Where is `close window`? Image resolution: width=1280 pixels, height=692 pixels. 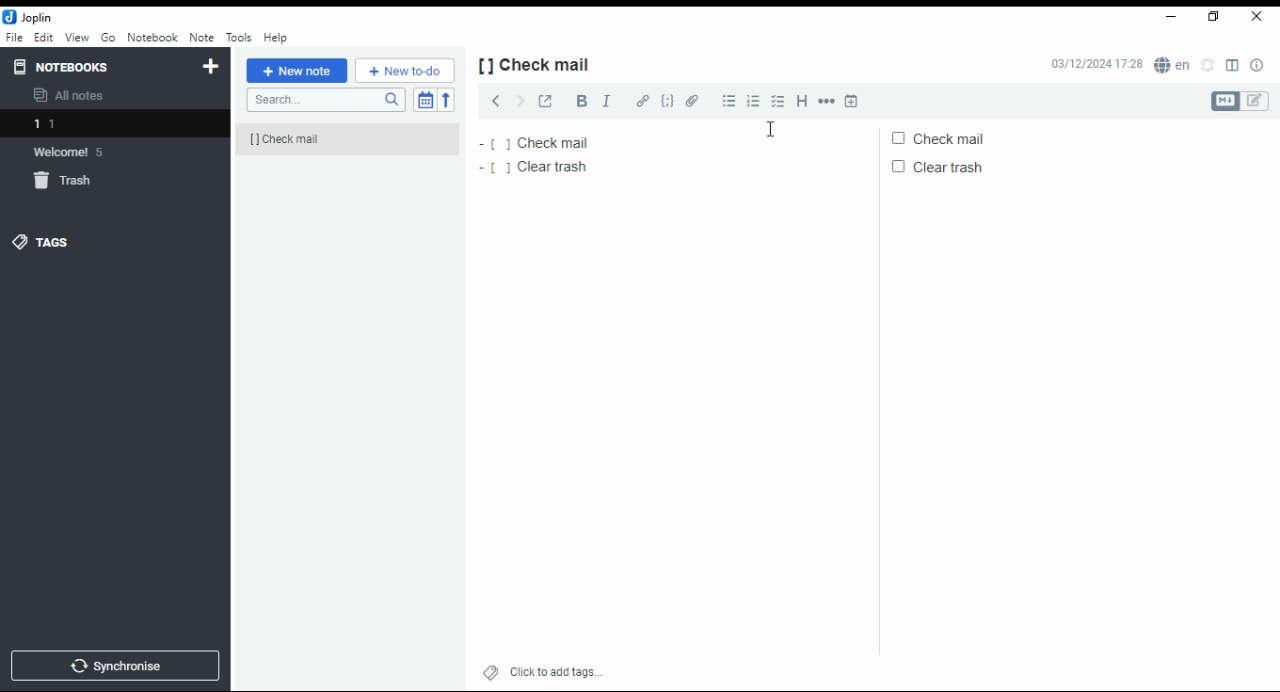
close window is located at coordinates (1257, 18).